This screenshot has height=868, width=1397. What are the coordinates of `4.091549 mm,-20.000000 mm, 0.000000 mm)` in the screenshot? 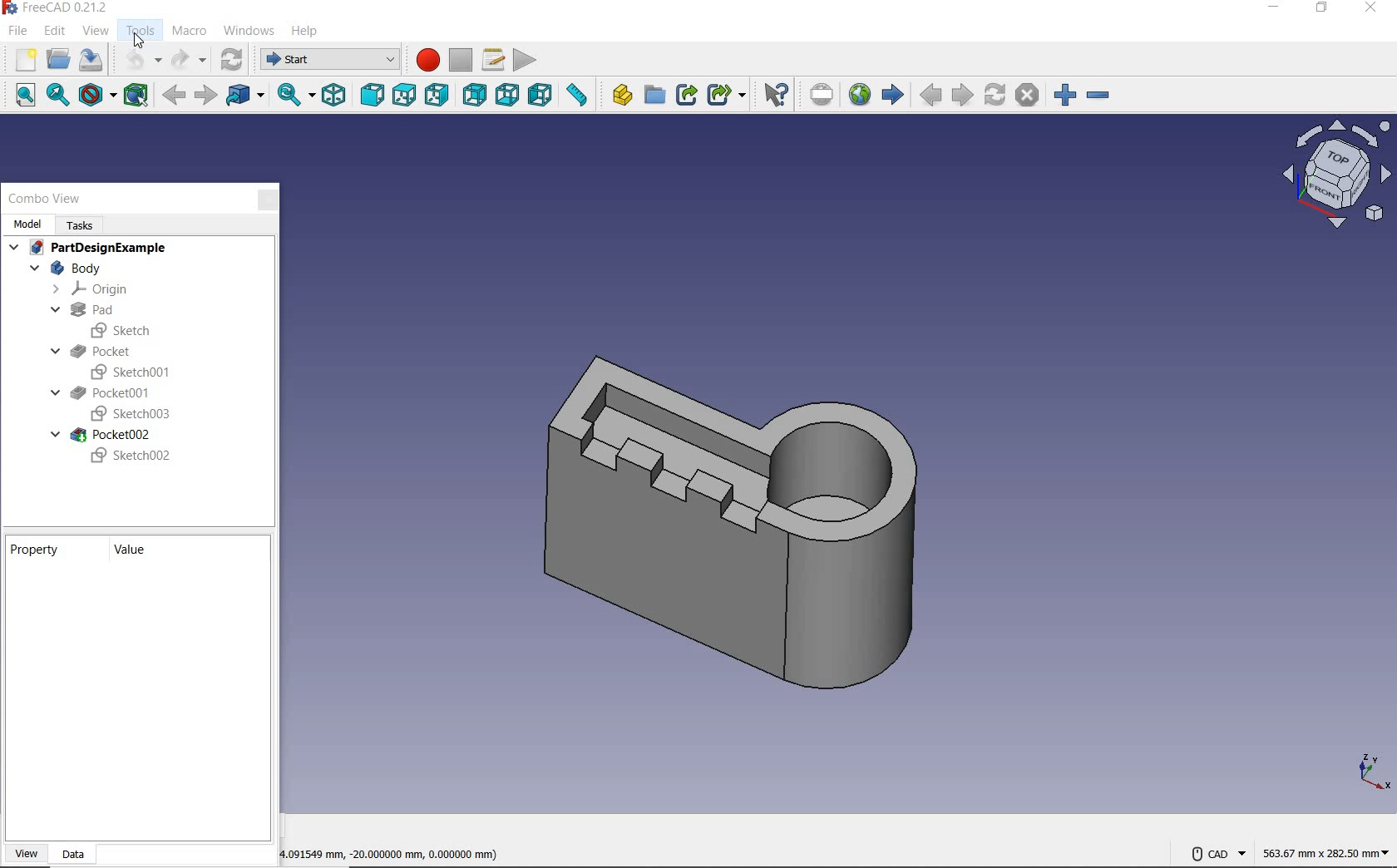 It's located at (378, 854).